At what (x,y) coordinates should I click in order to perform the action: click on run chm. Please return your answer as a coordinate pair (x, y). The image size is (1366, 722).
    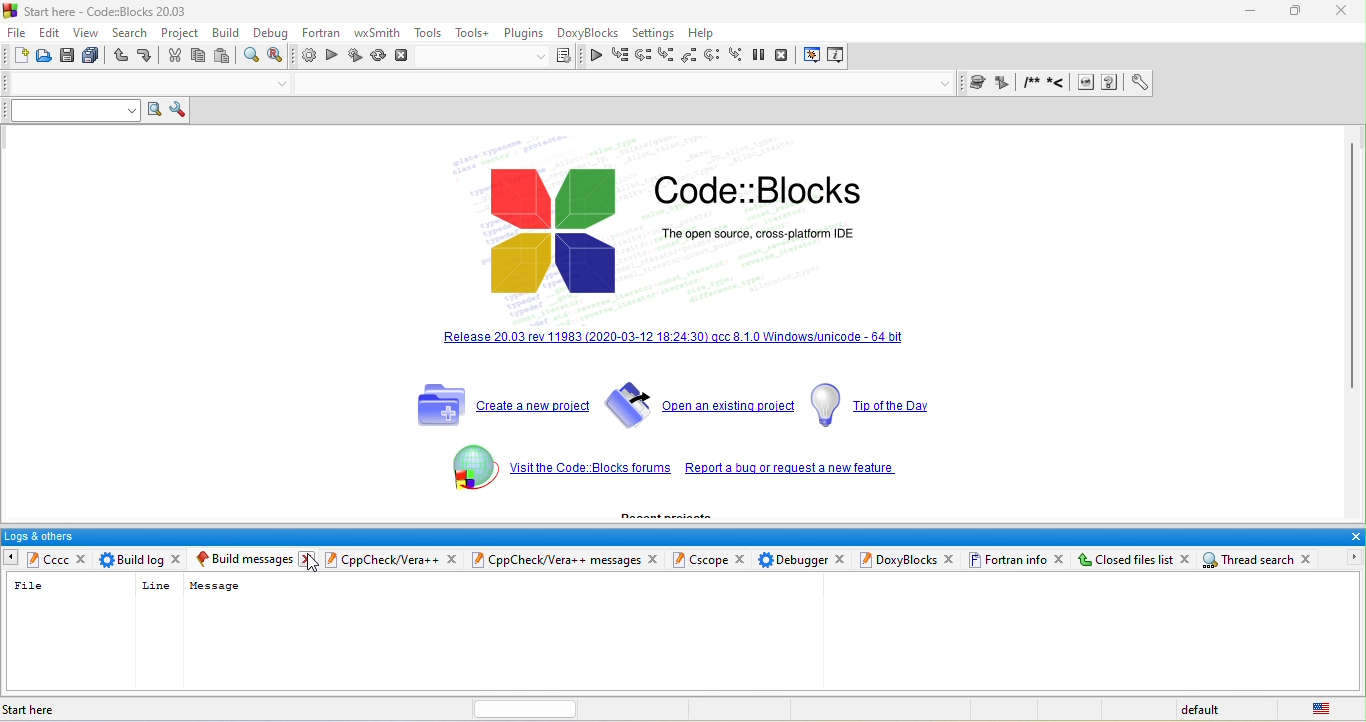
    Looking at the image, I should click on (1113, 83).